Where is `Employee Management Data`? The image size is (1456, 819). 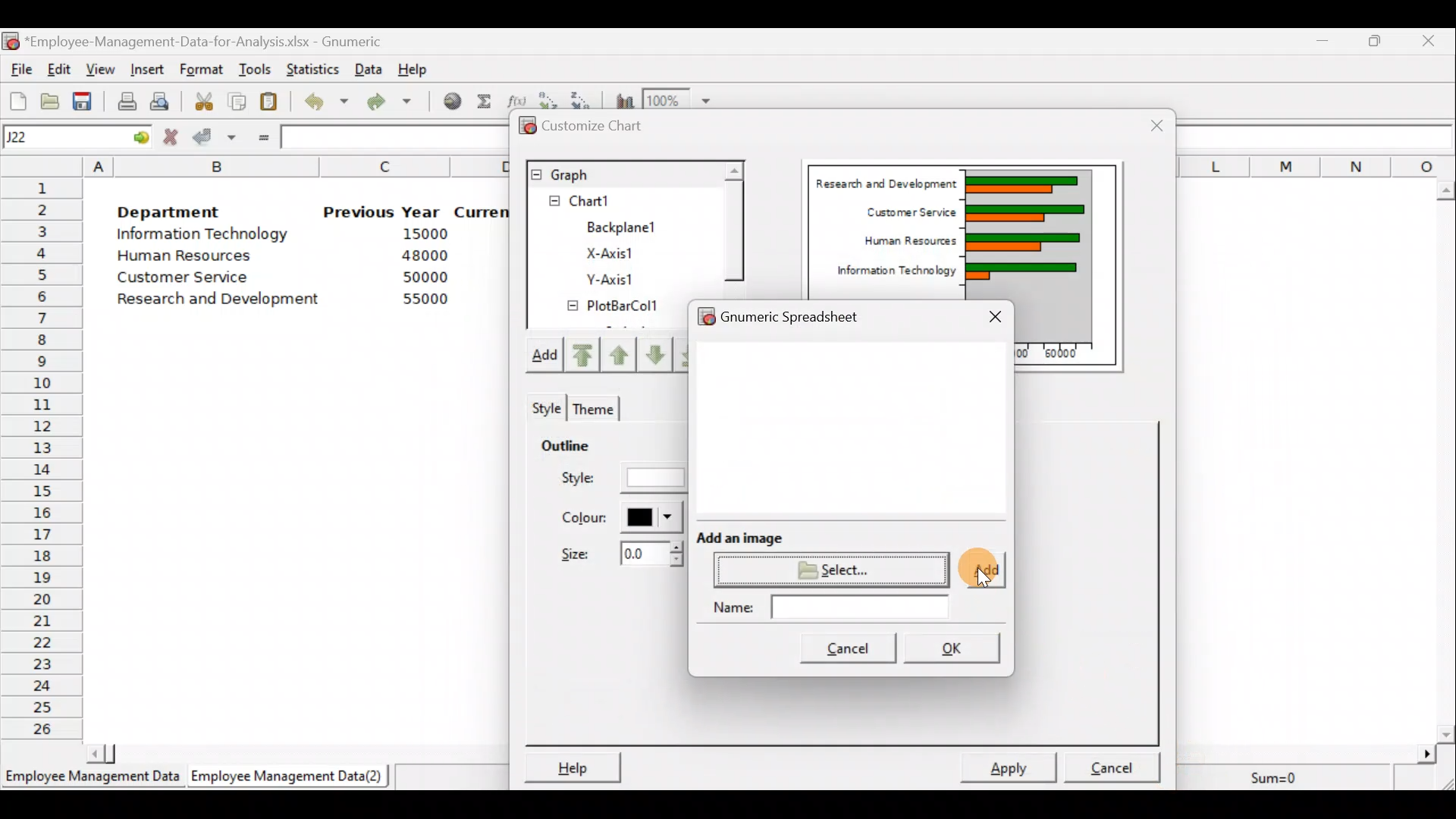
Employee Management Data is located at coordinates (90, 778).